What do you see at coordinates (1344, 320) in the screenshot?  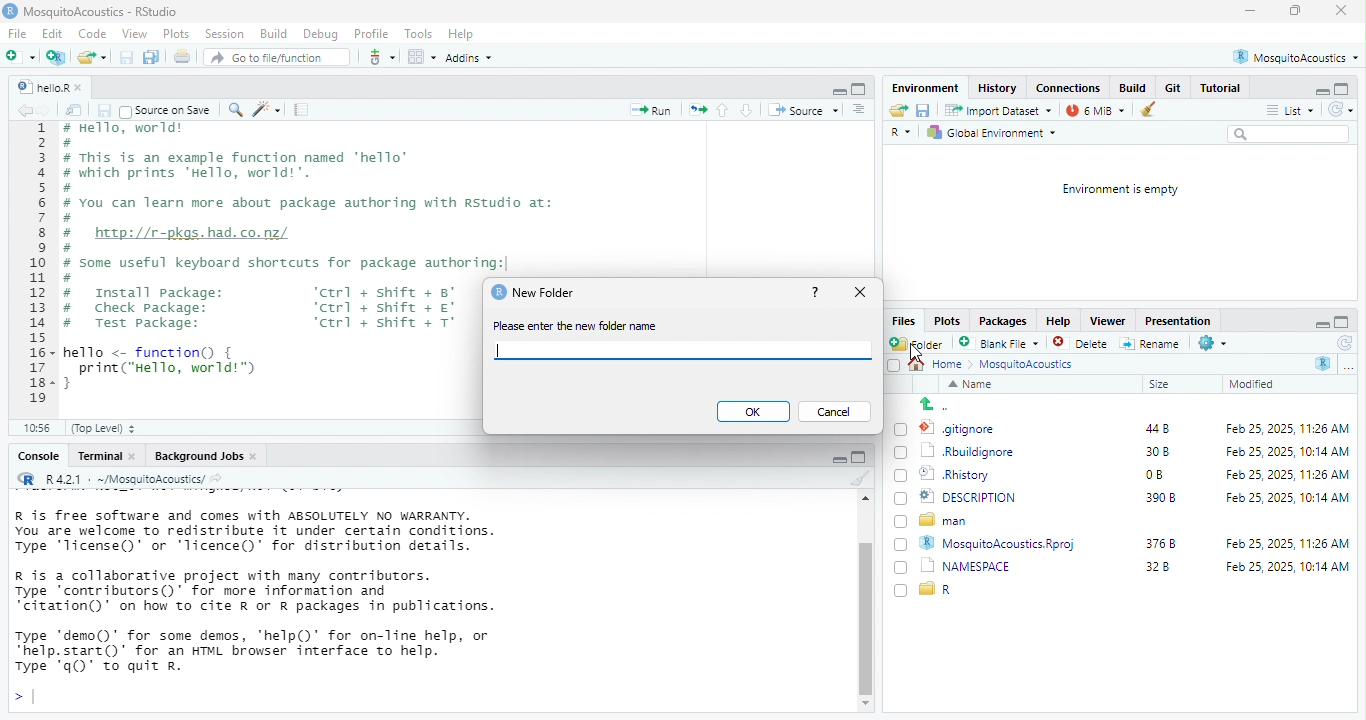 I see `hide console` at bounding box center [1344, 320].